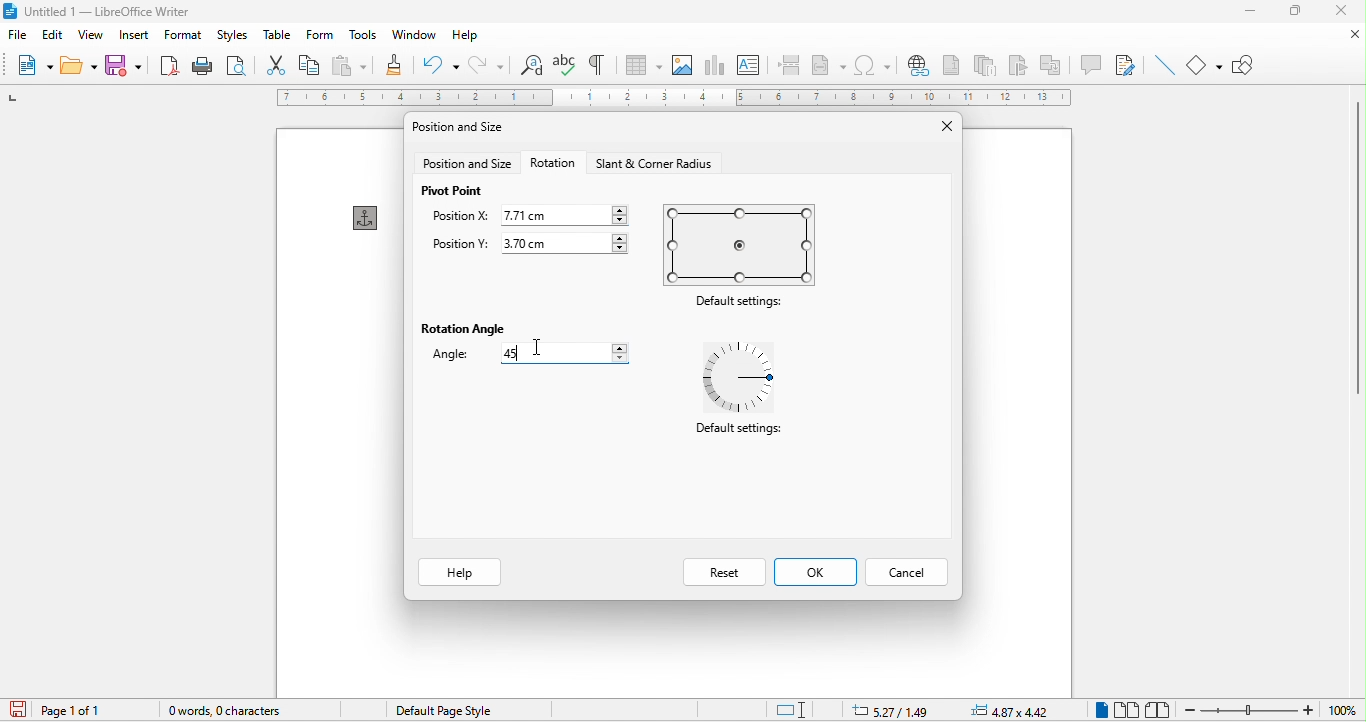 The height and width of the screenshot is (722, 1366). Describe the element at coordinates (233, 36) in the screenshot. I see `styles` at that location.